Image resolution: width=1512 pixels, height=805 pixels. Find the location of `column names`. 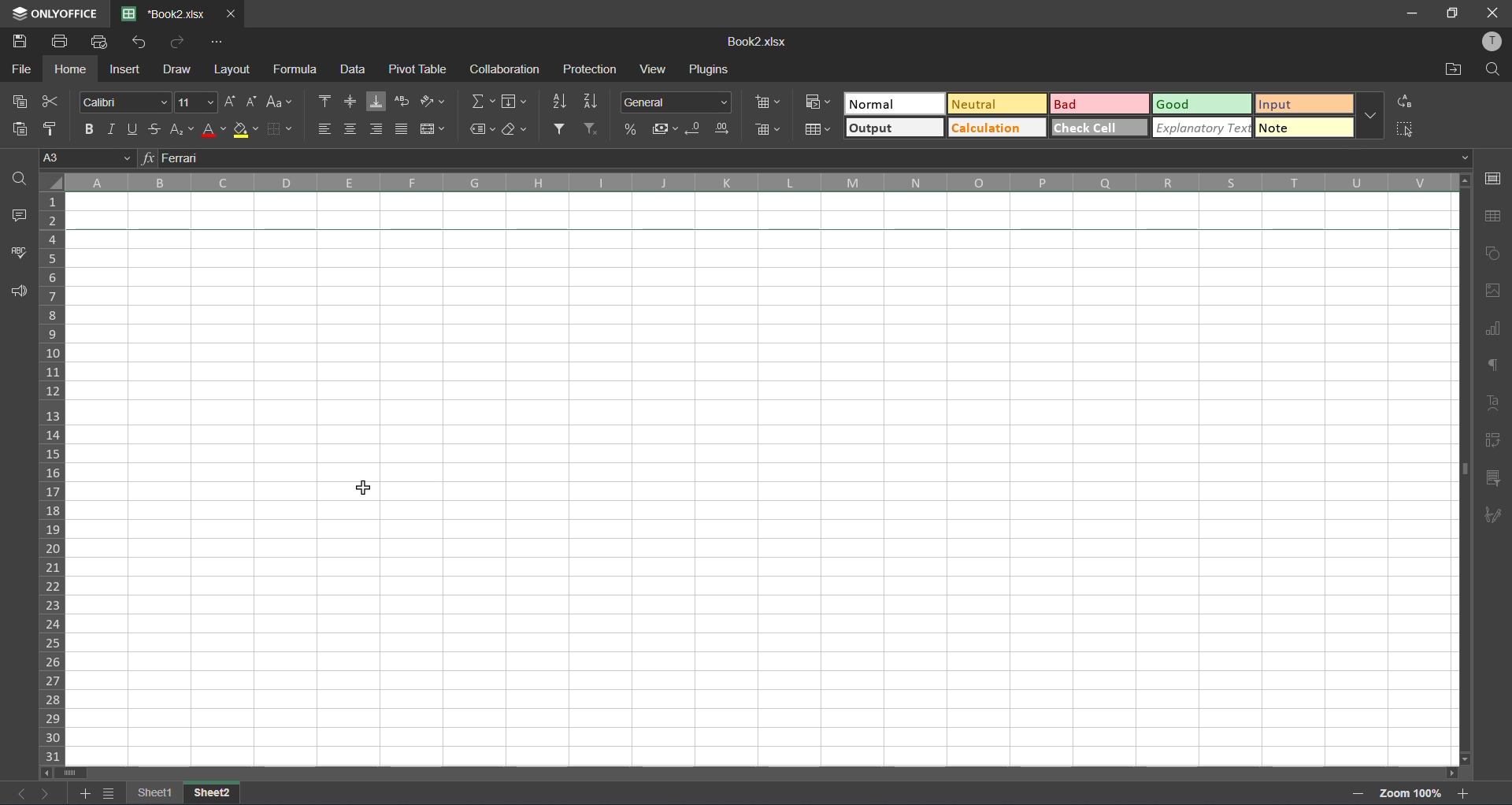

column names is located at coordinates (756, 182).